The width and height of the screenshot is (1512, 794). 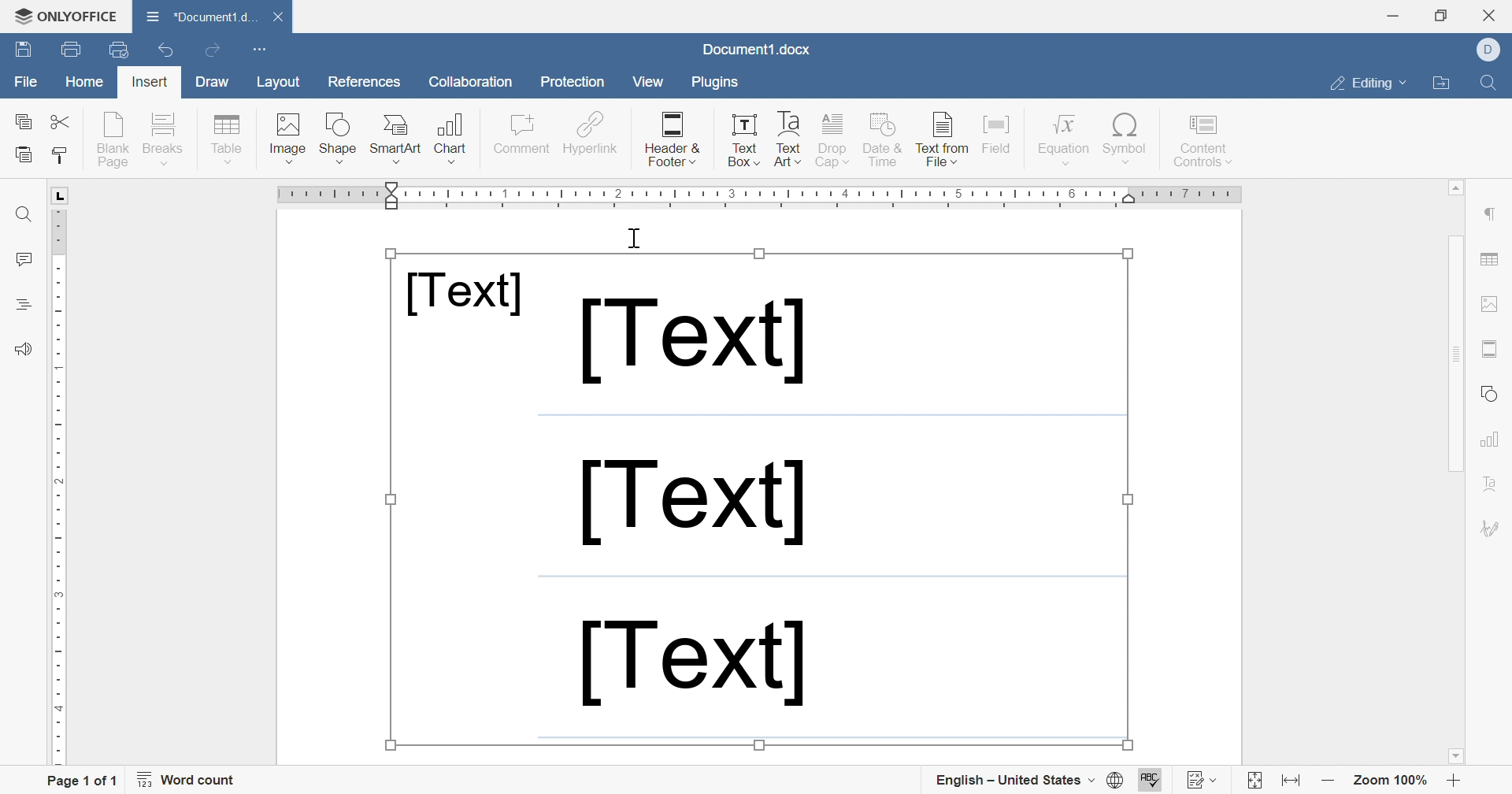 What do you see at coordinates (1329, 781) in the screenshot?
I see `Zoom out` at bounding box center [1329, 781].